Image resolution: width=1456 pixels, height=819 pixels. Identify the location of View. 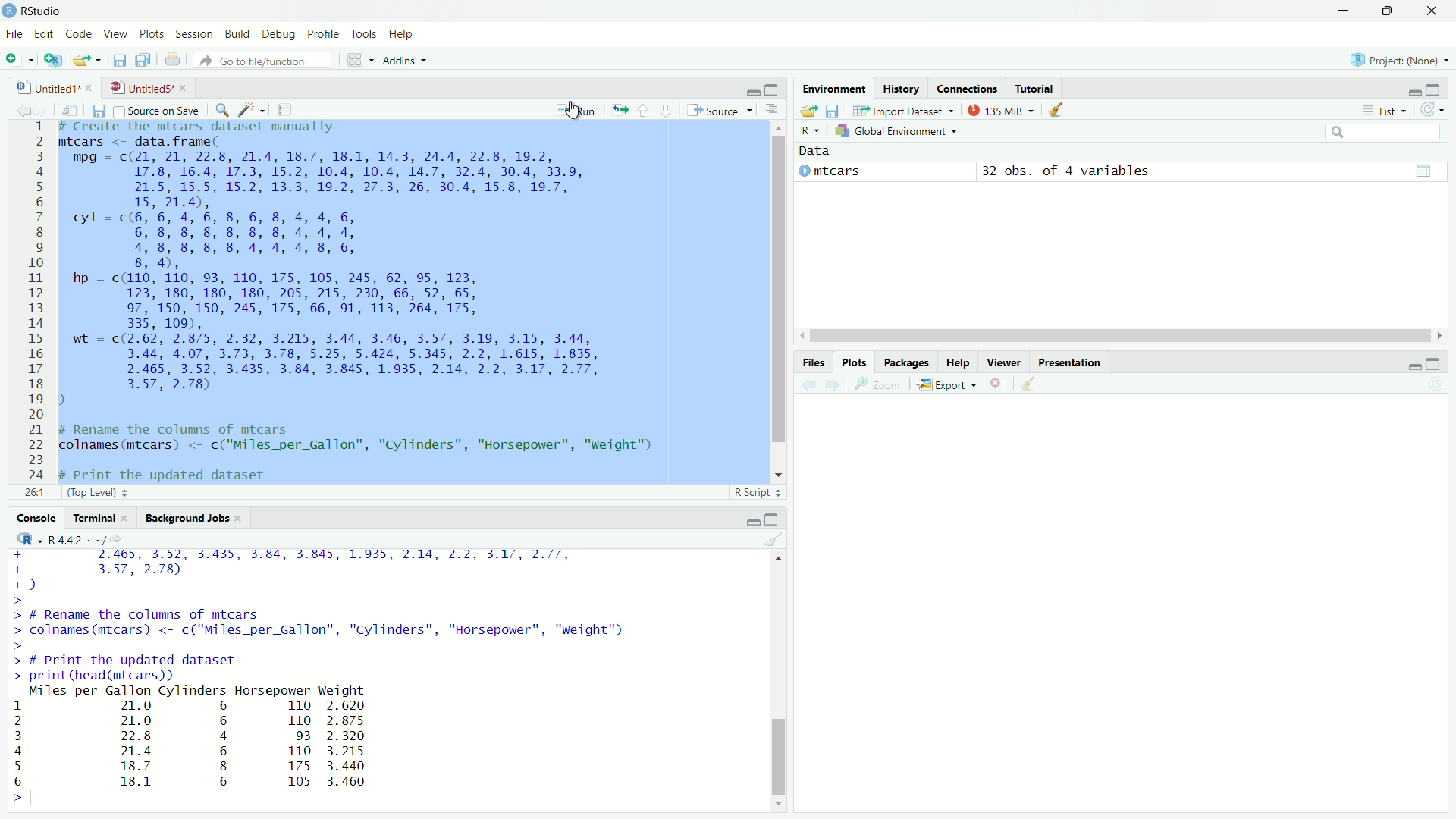
(115, 34).